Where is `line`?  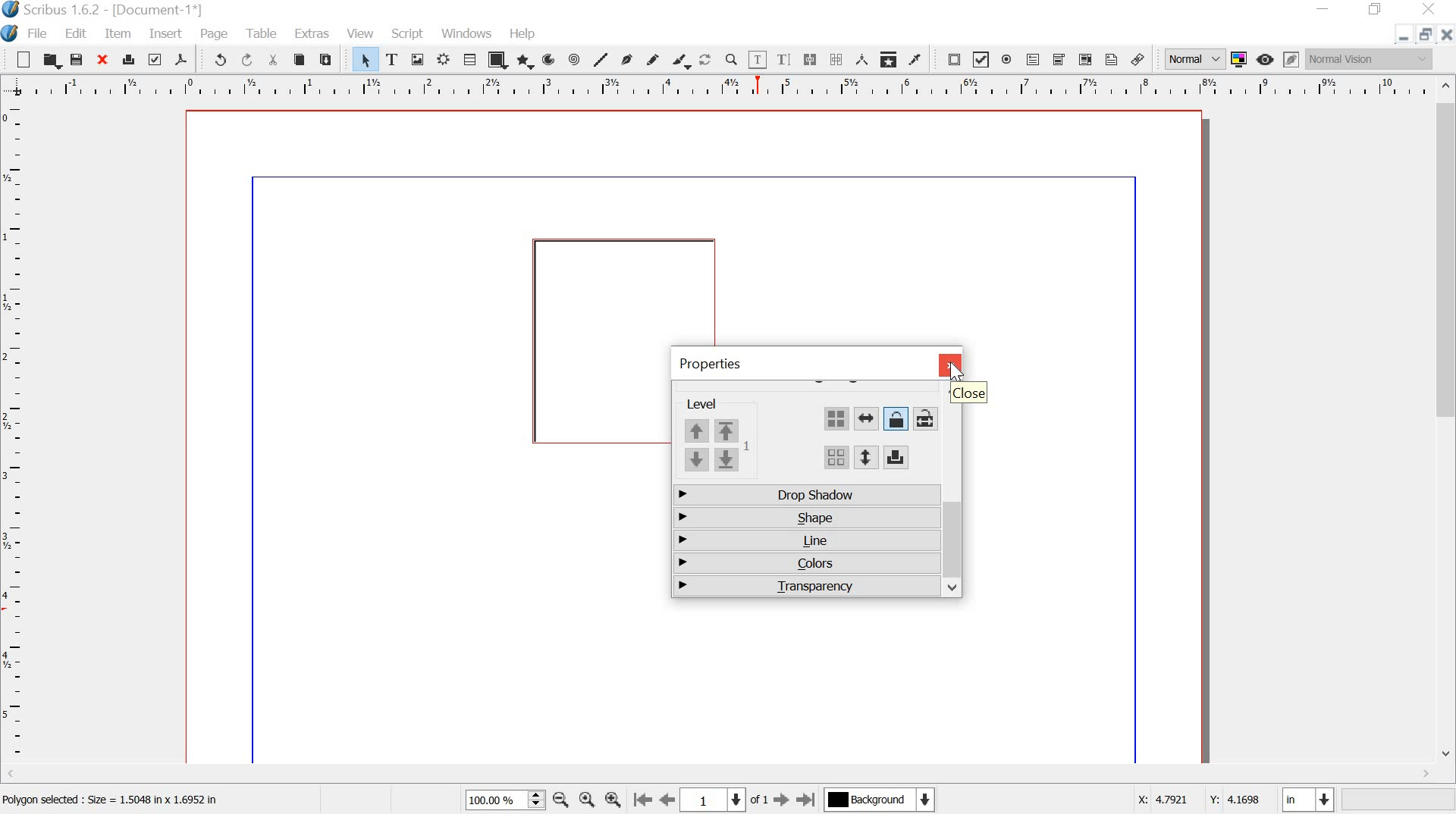 line is located at coordinates (805, 541).